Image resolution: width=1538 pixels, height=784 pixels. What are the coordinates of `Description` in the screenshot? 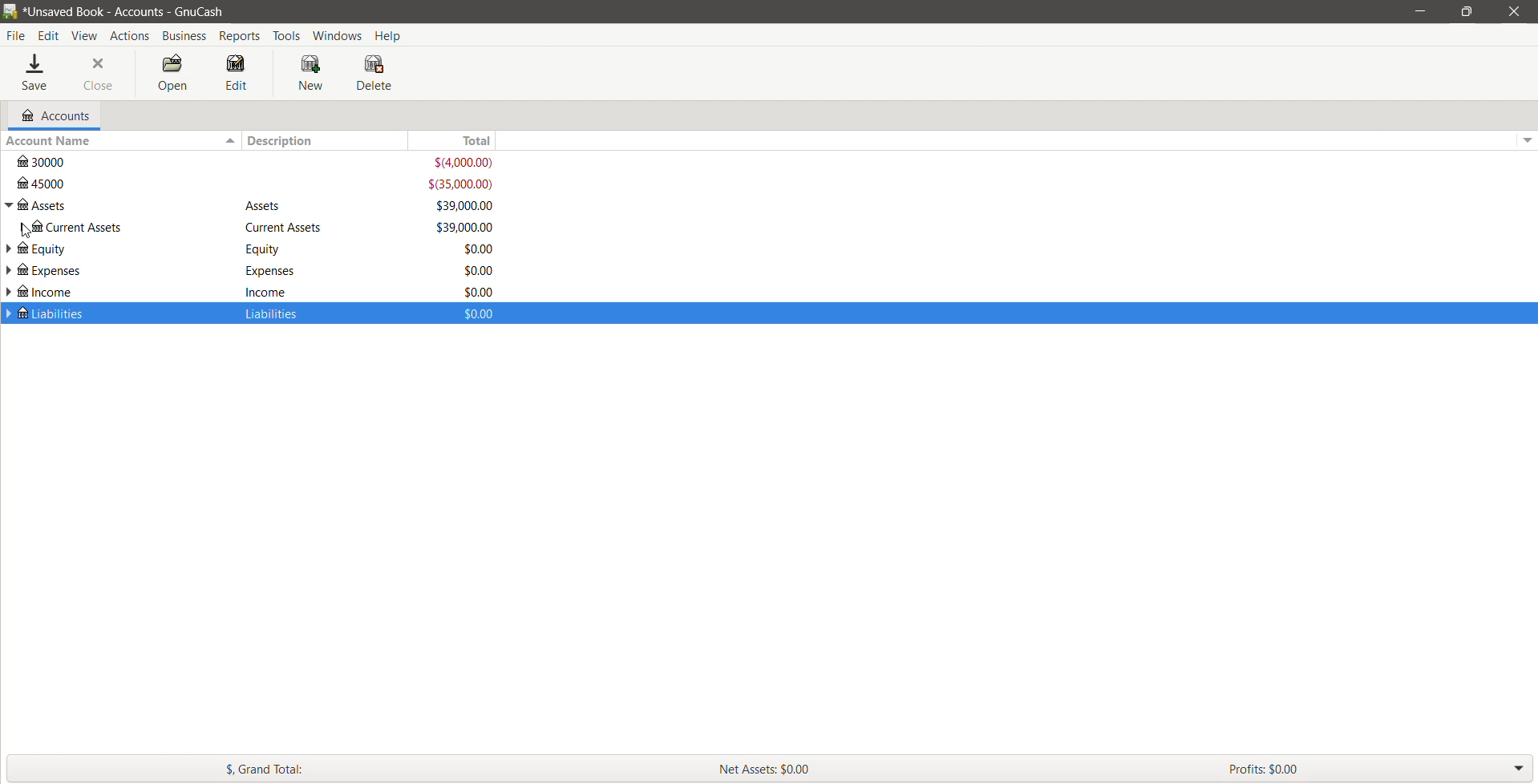 It's located at (321, 140).